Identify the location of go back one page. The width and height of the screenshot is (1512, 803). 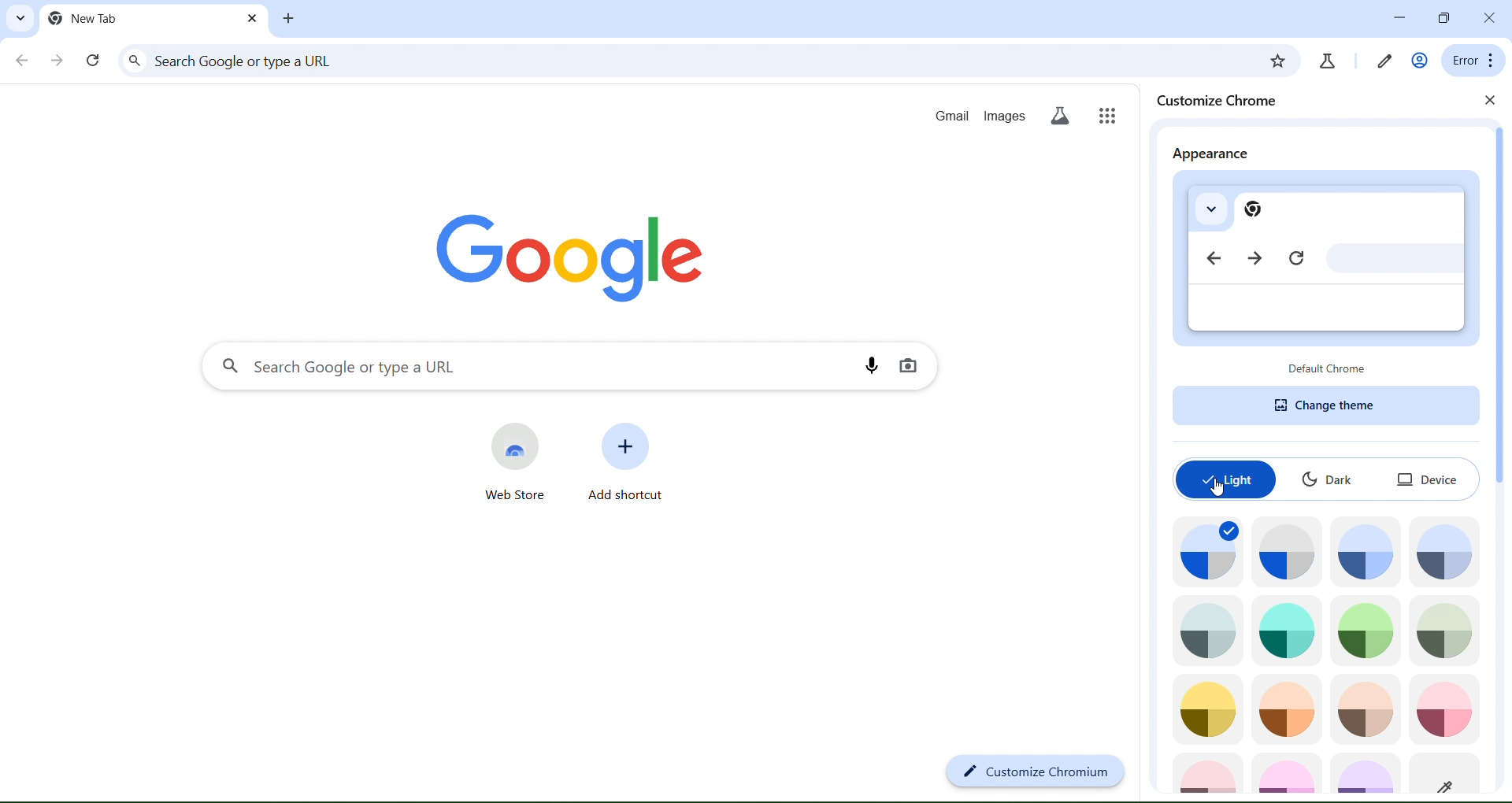
(20, 62).